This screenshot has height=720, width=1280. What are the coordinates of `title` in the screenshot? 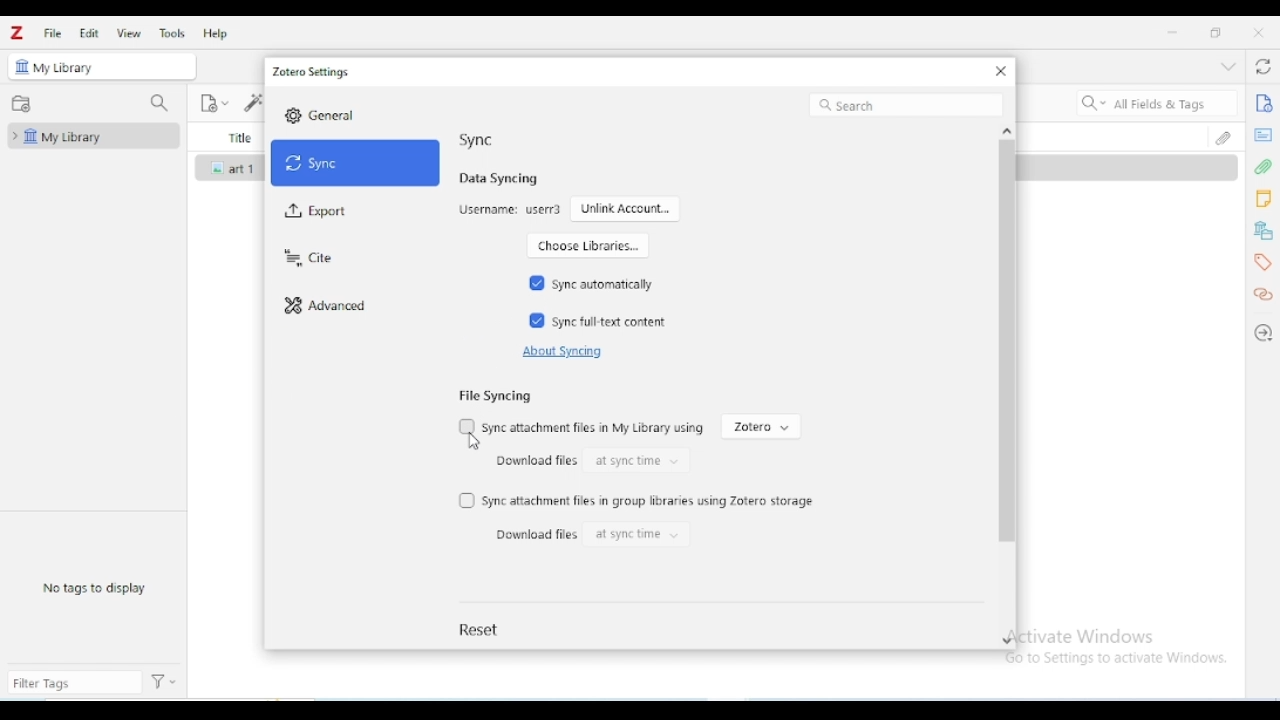 It's located at (238, 137).